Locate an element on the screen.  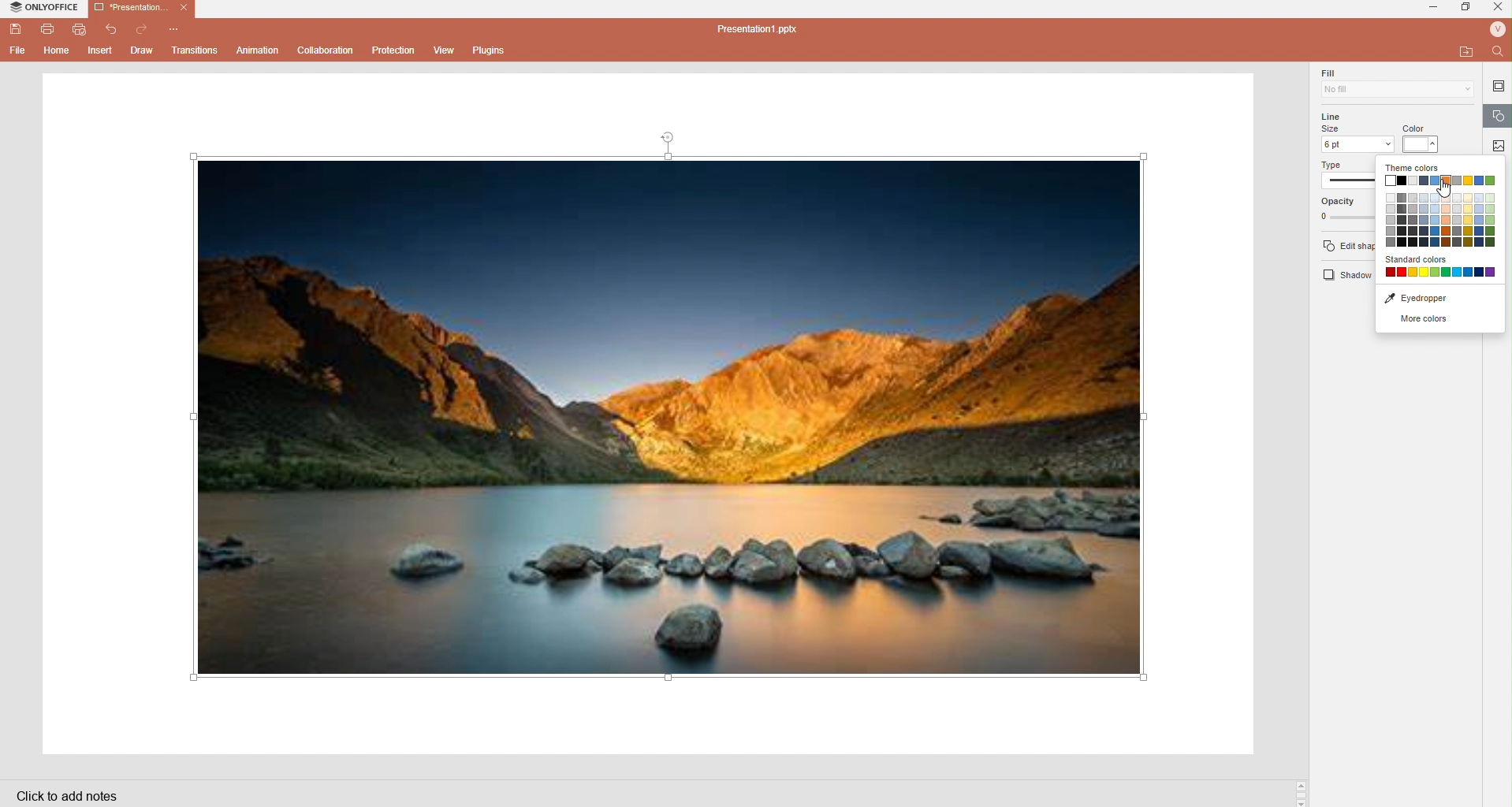
Theme colors is located at coordinates (1417, 169).